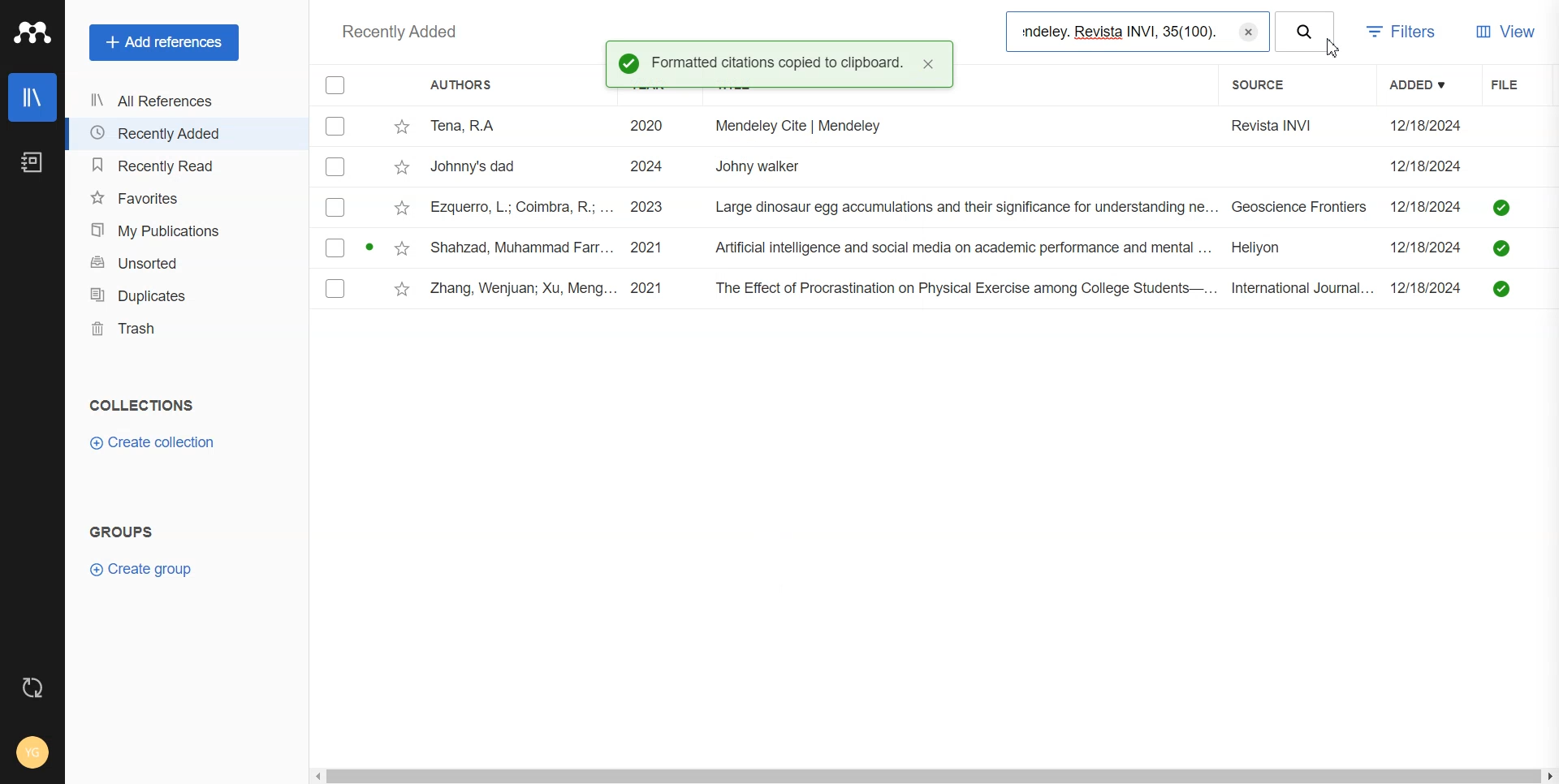 This screenshot has width=1559, height=784. Describe the element at coordinates (122, 531) in the screenshot. I see `GROUPS` at that location.